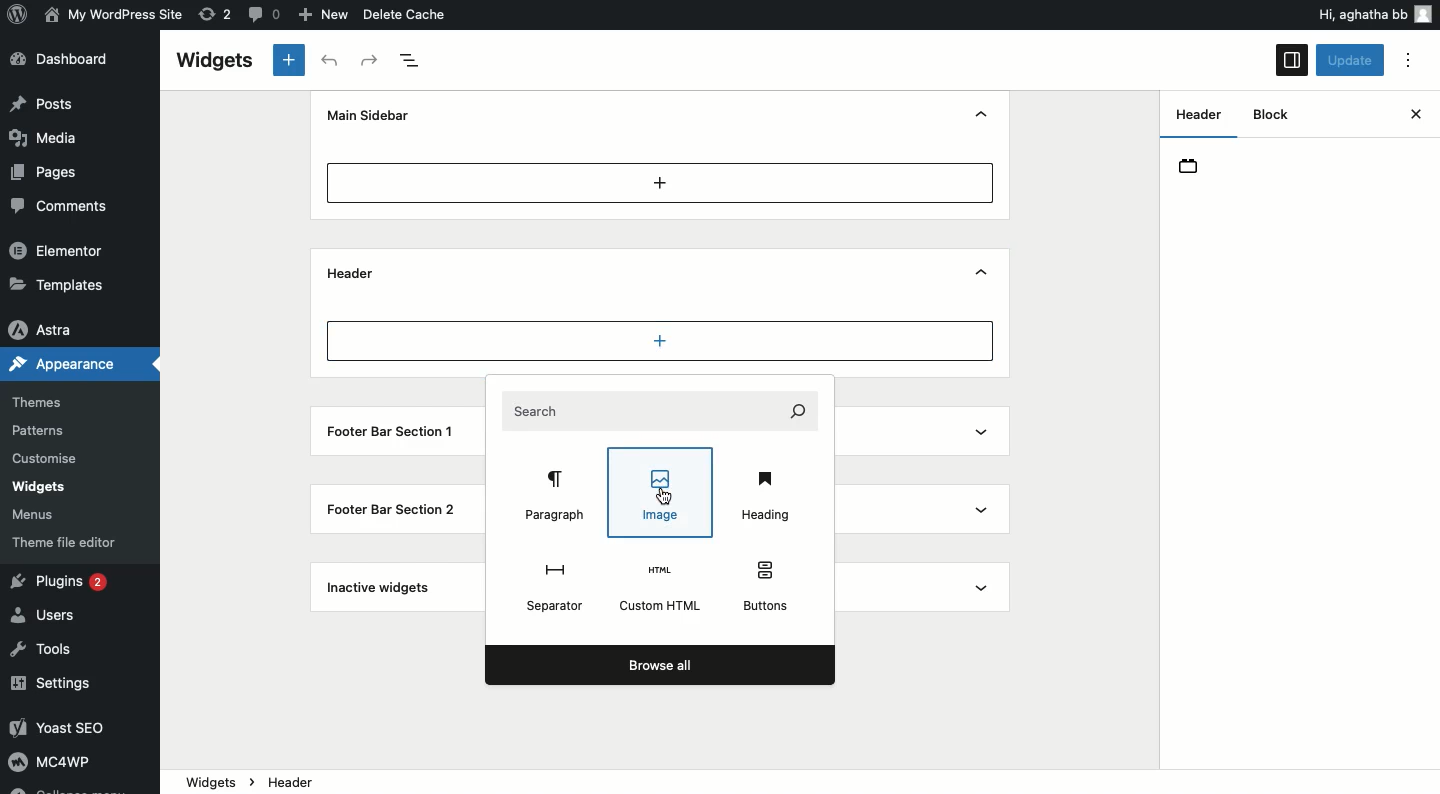 The image size is (1440, 794). What do you see at coordinates (19, 13) in the screenshot?
I see `Logo` at bounding box center [19, 13].